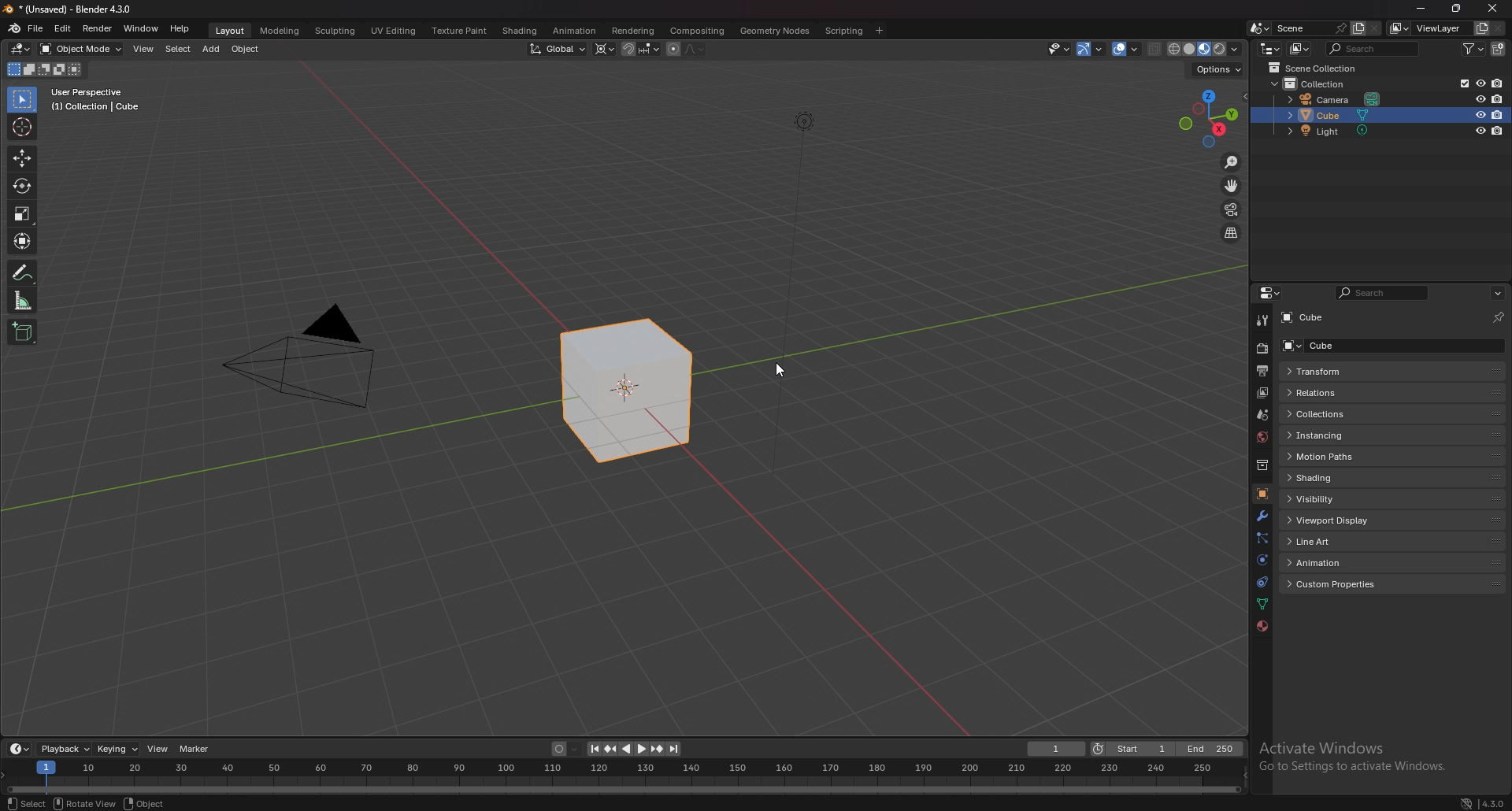 The height and width of the screenshot is (811, 1512). I want to click on animation, so click(575, 31).